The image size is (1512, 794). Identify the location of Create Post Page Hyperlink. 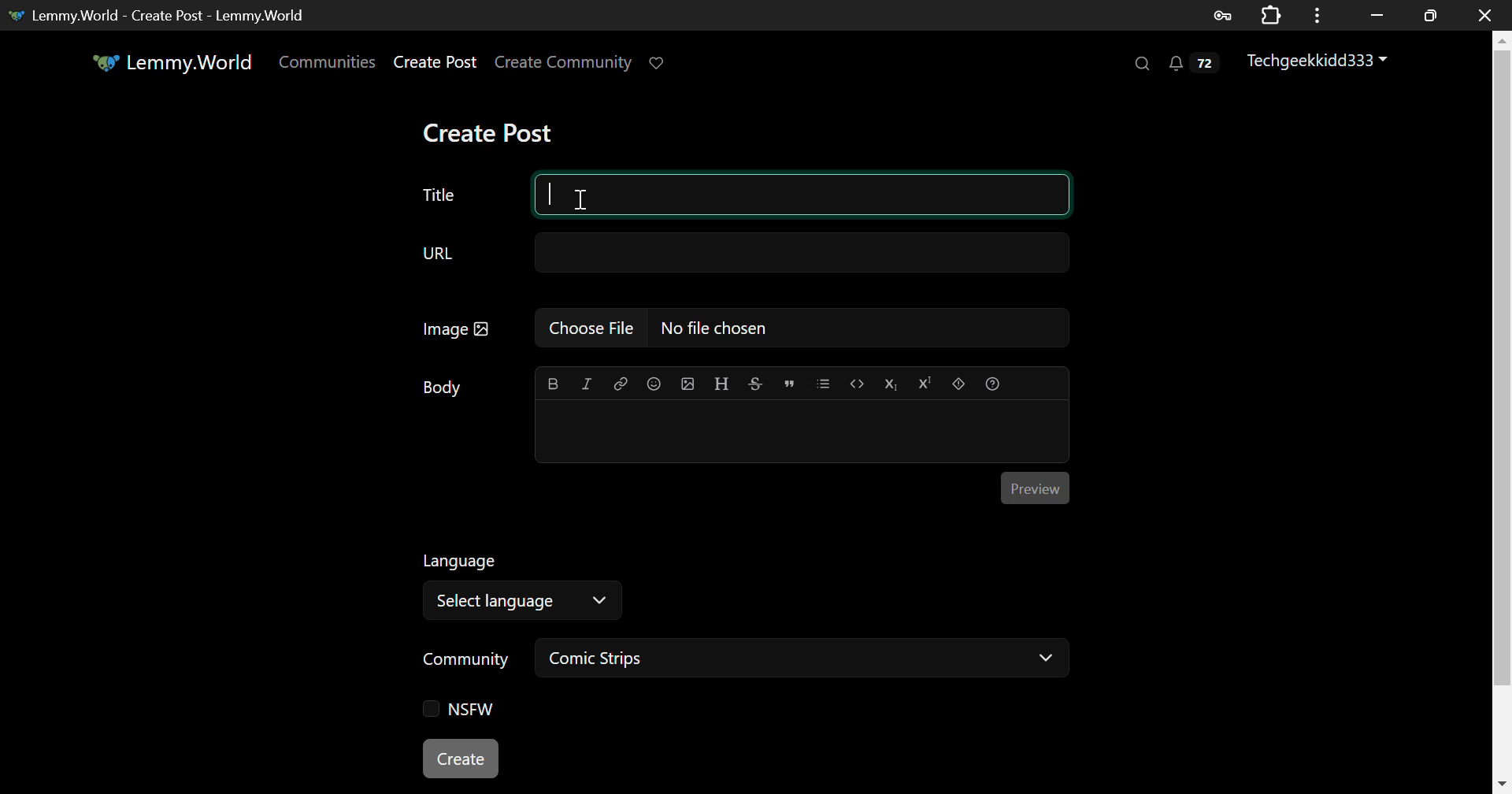
(439, 61).